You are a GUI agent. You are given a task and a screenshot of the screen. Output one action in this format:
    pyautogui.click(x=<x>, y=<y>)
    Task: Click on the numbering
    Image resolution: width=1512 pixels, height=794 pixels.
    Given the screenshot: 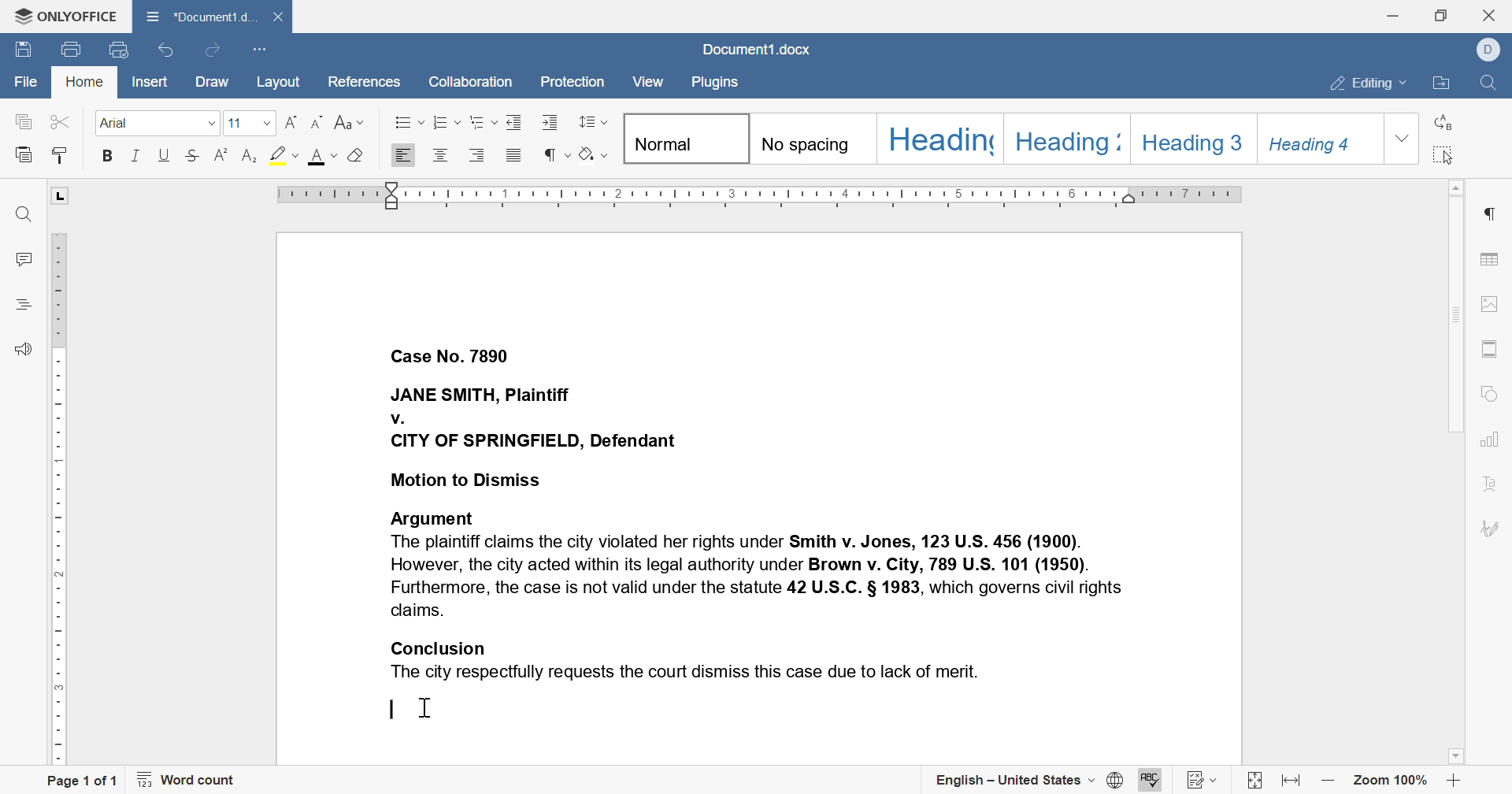 What is the action you would take?
    pyautogui.click(x=446, y=122)
    